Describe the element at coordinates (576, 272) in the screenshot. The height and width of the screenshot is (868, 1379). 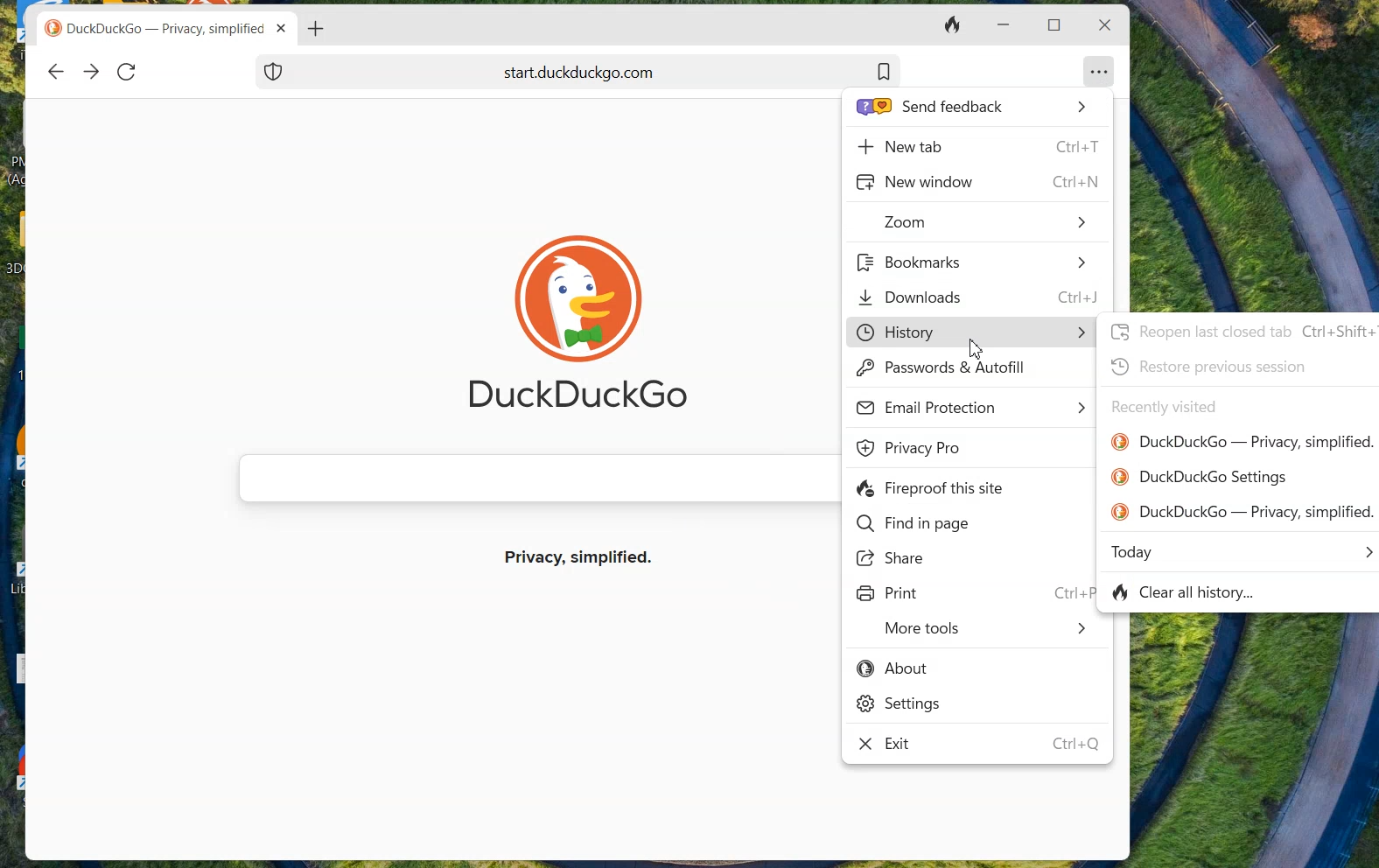
I see `duckduck go LOGO` at that location.